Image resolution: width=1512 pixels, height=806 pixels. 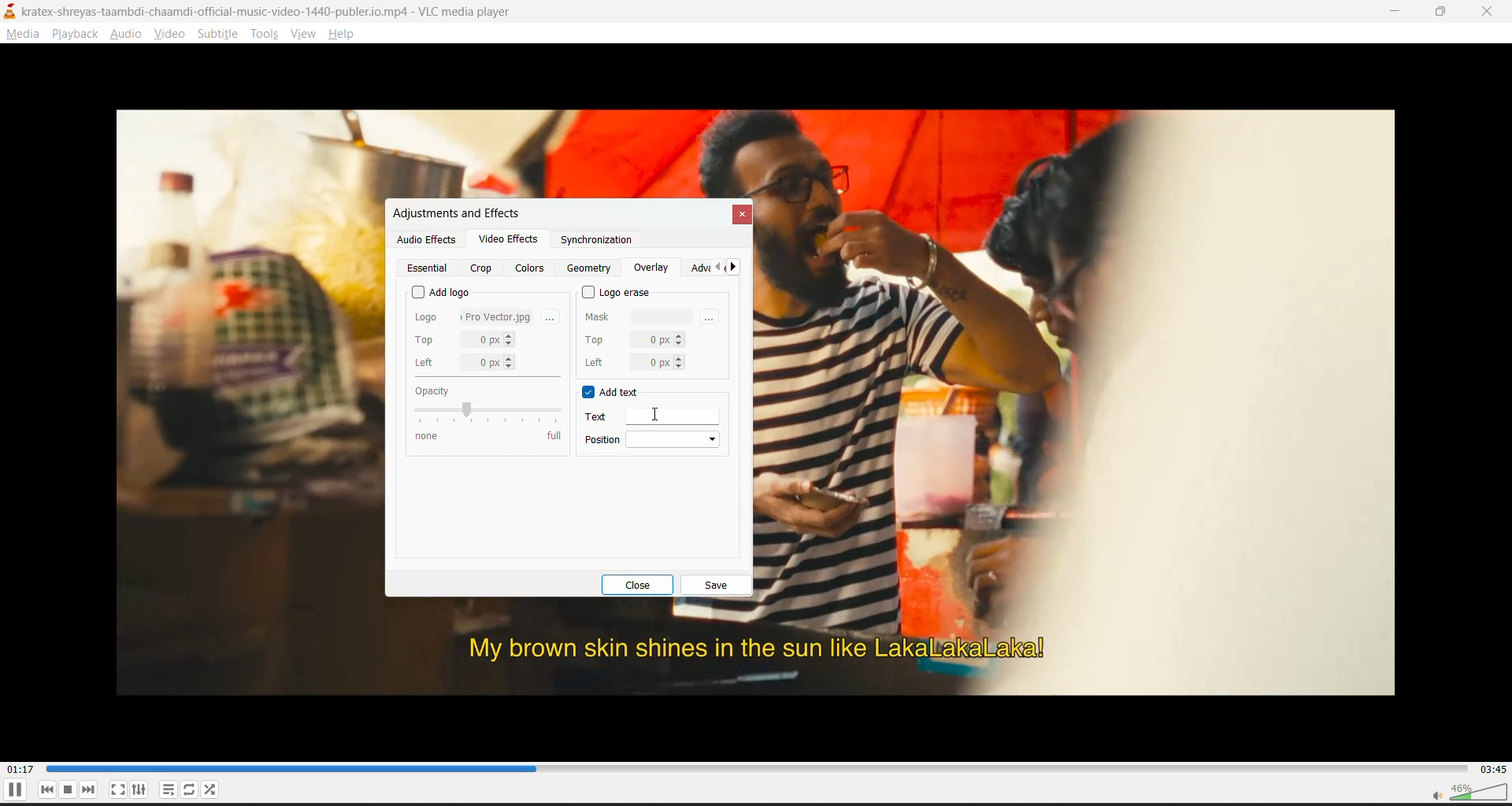 I want to click on add logo, so click(x=441, y=290).